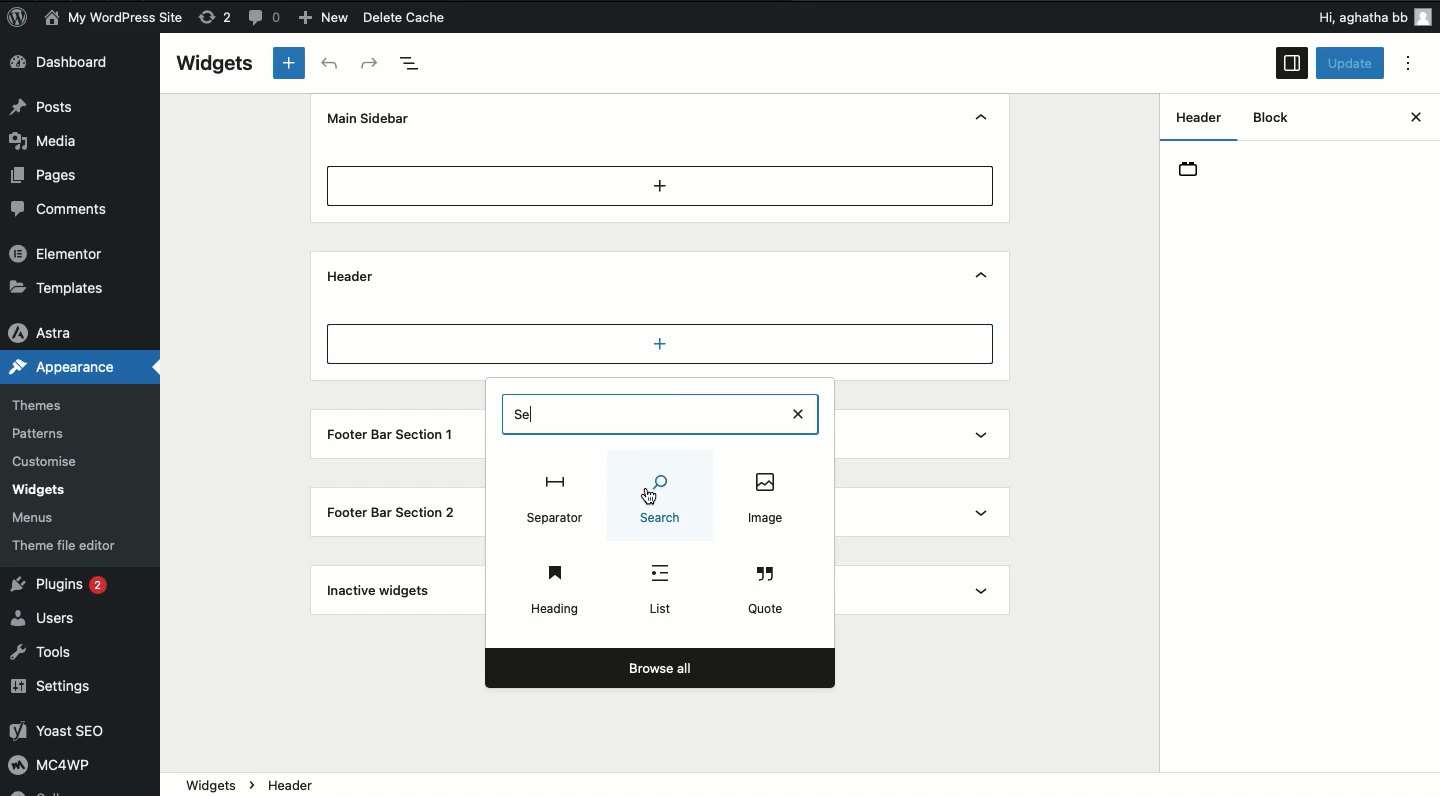 This screenshot has height=796, width=1440. What do you see at coordinates (51, 107) in the screenshot?
I see `Posts` at bounding box center [51, 107].